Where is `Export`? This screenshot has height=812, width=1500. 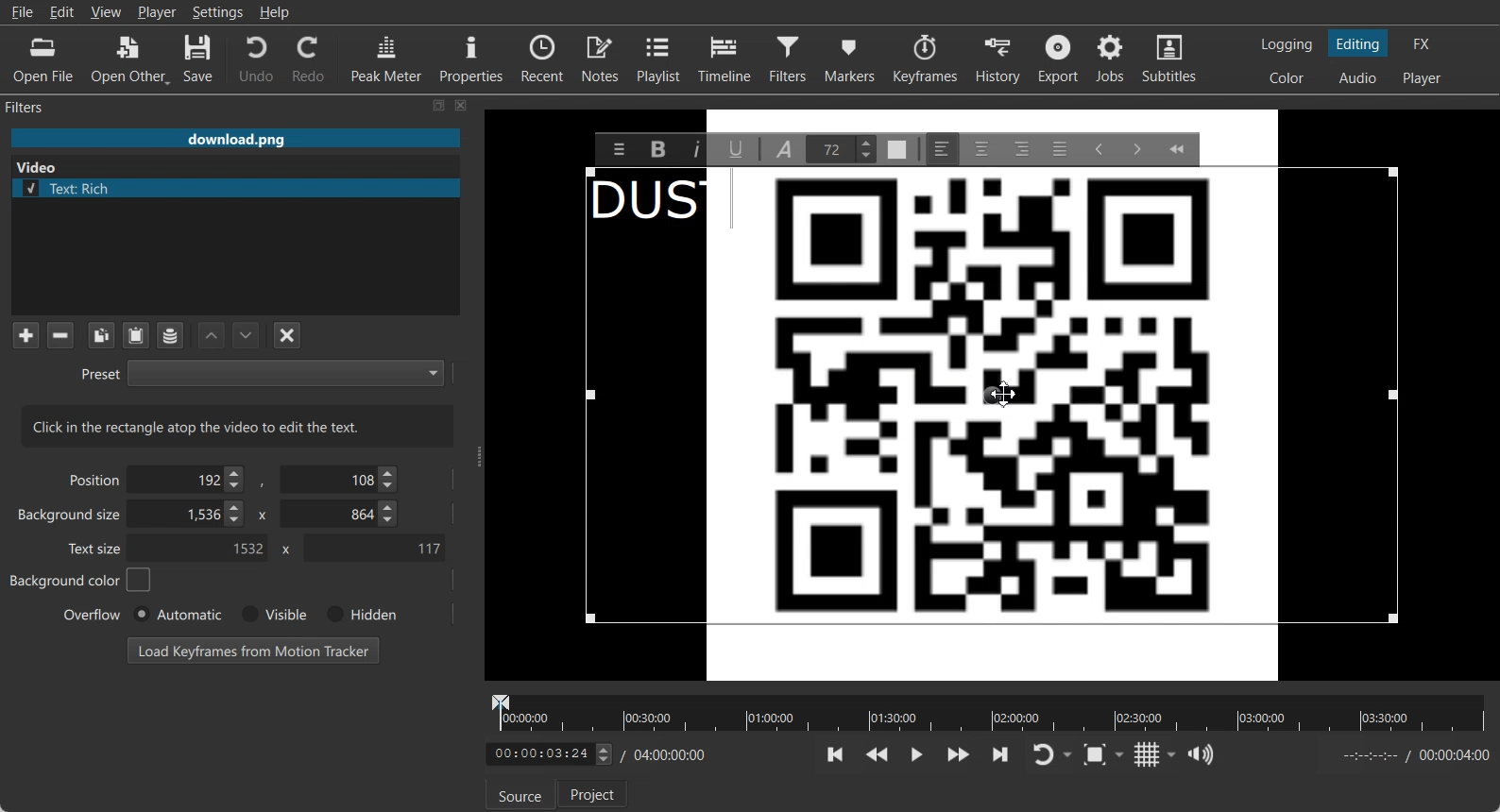
Export is located at coordinates (1061, 59).